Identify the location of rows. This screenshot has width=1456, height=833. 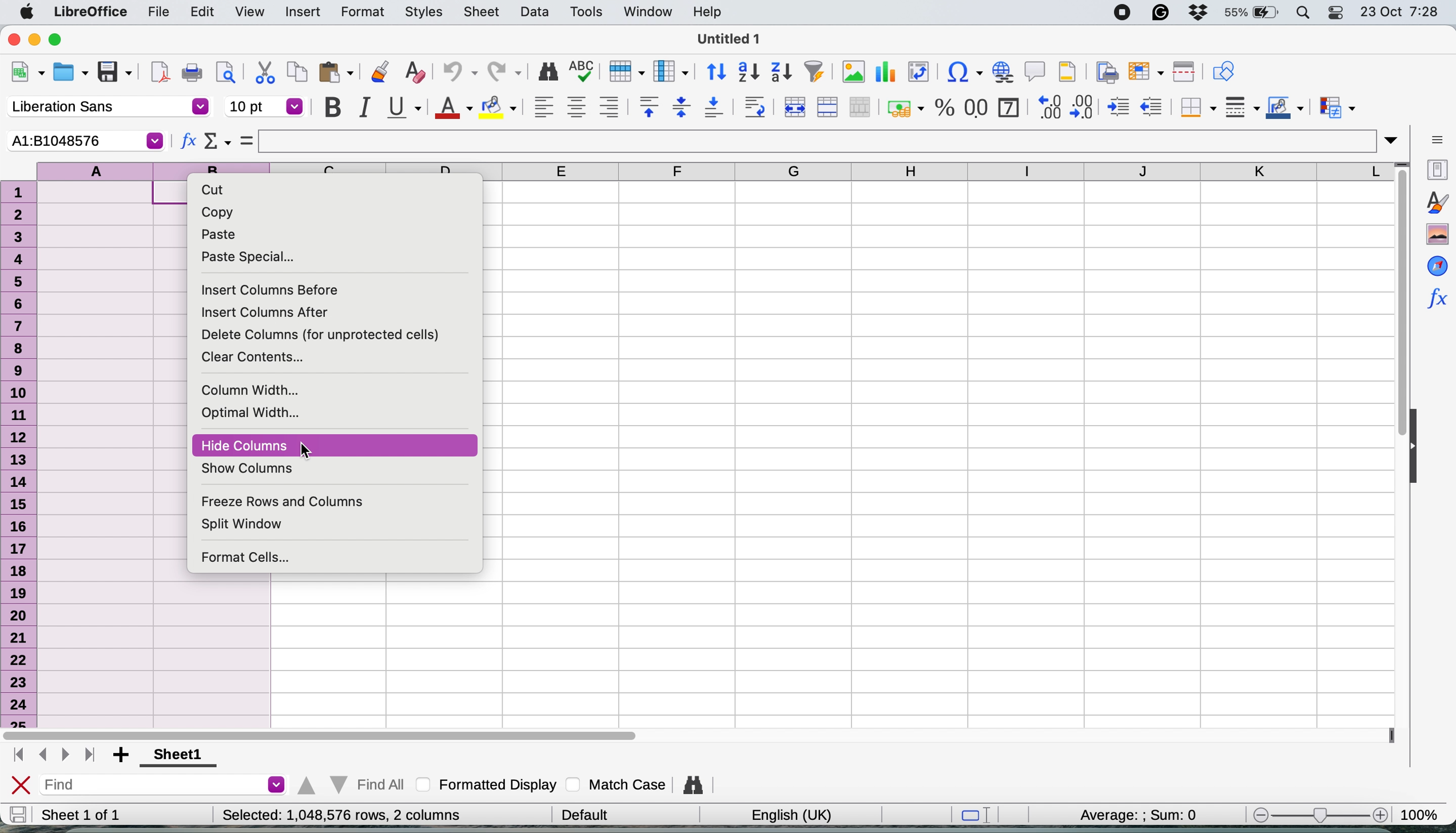
(19, 450).